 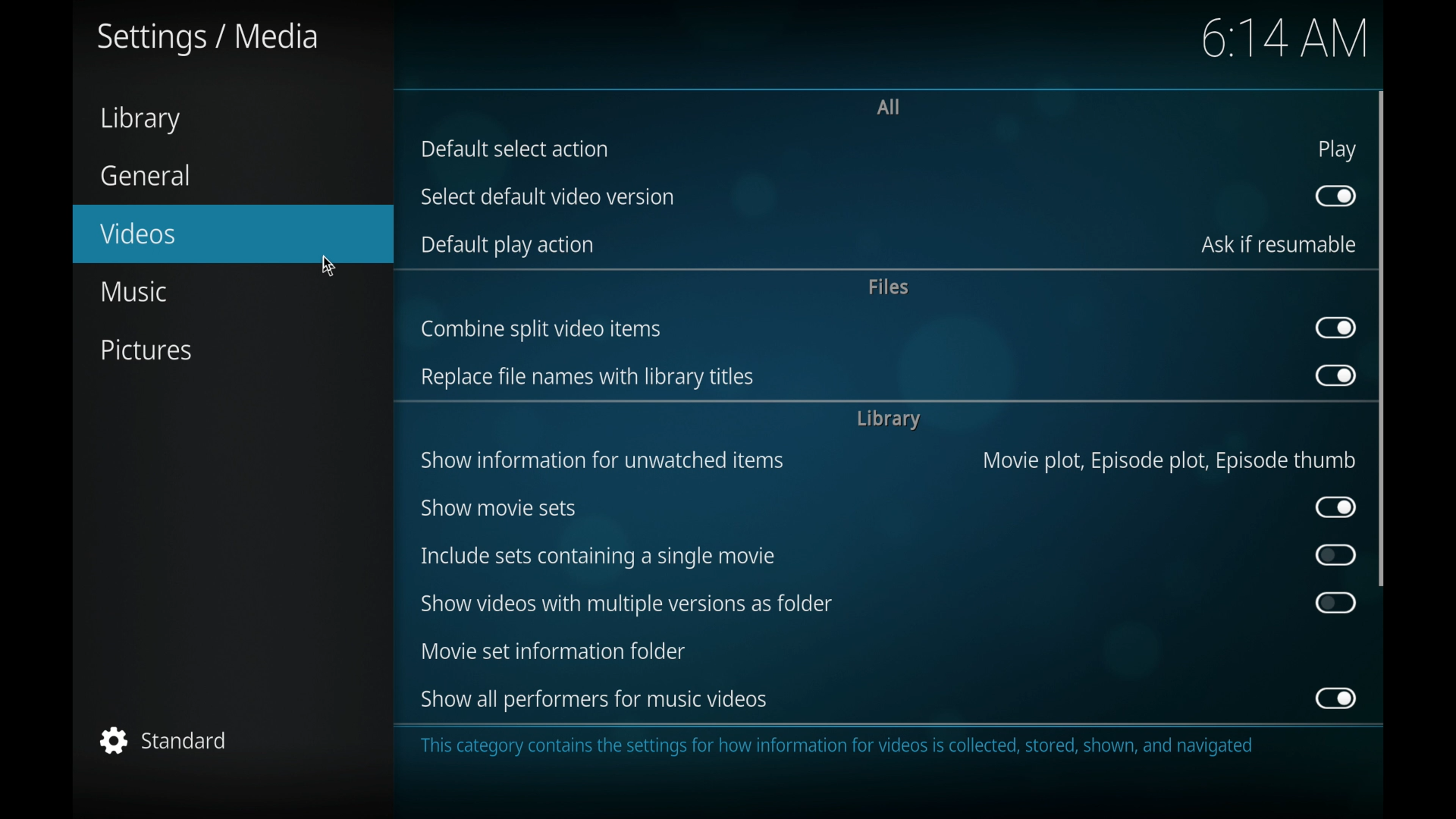 I want to click on toggle button, so click(x=1336, y=507).